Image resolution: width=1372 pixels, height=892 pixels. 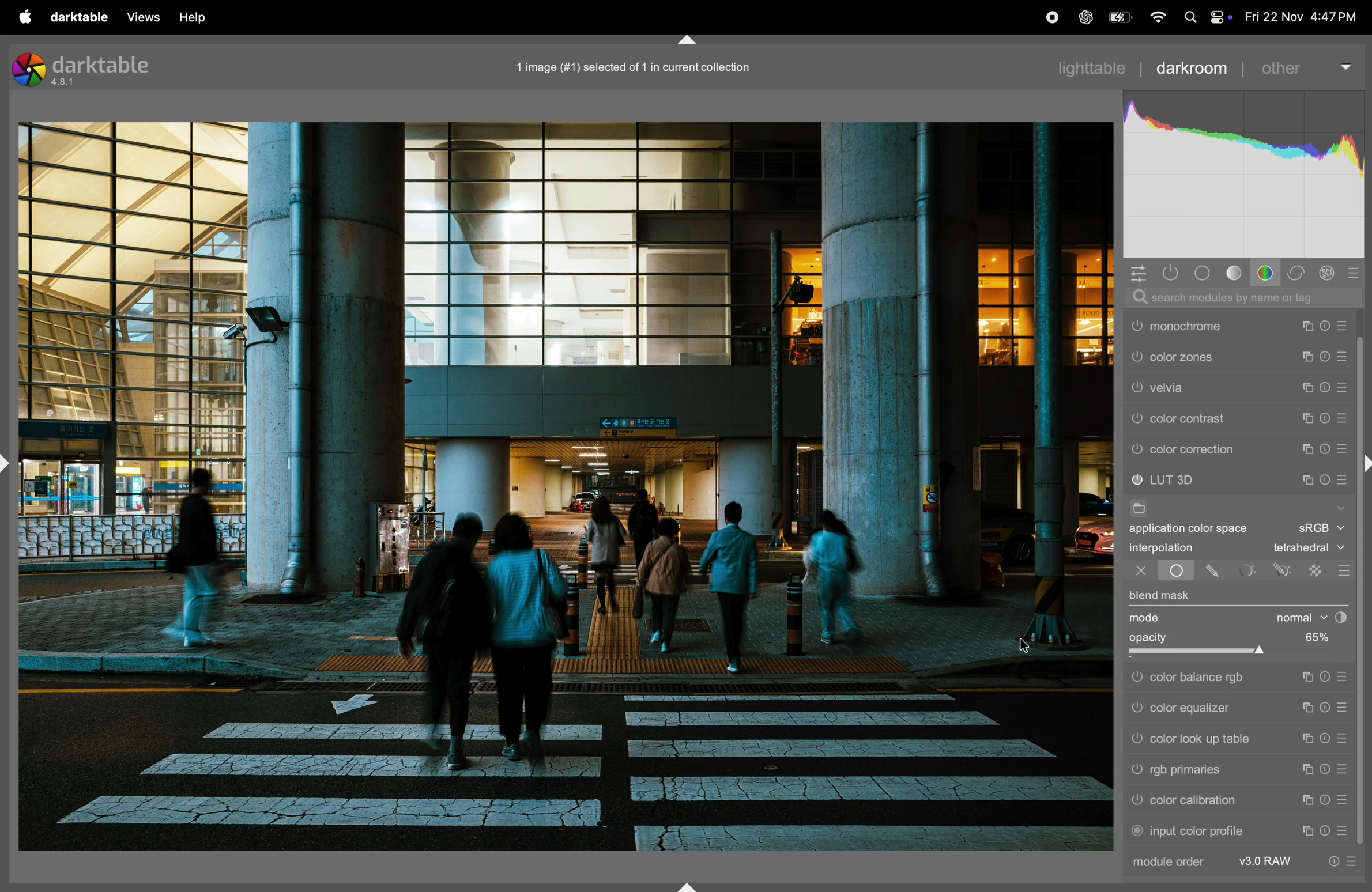 What do you see at coordinates (1143, 508) in the screenshot?
I see `file` at bounding box center [1143, 508].